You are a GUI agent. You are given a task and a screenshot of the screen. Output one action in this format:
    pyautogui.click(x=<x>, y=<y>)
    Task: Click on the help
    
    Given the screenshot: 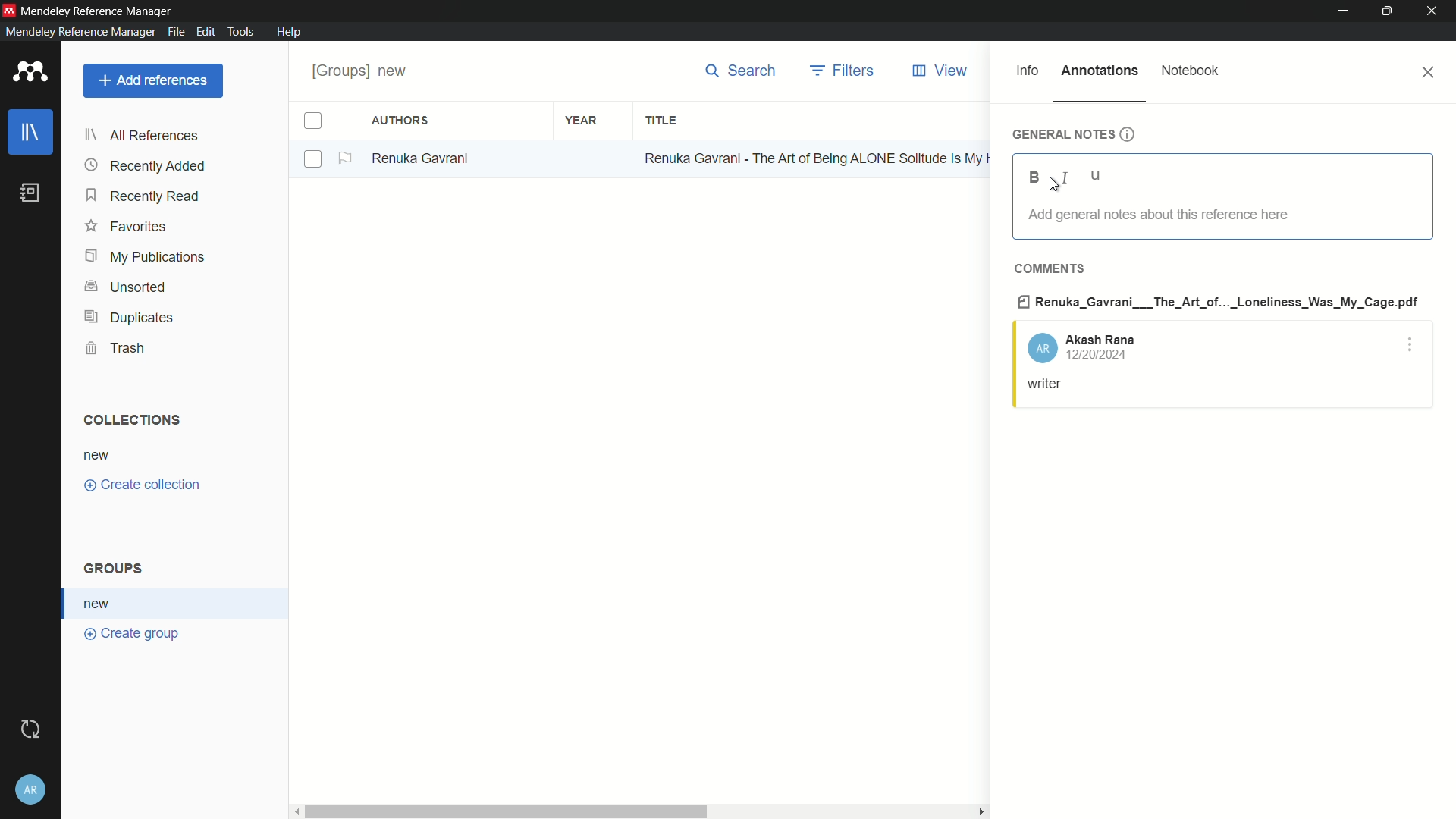 What is the action you would take?
    pyautogui.click(x=290, y=32)
    